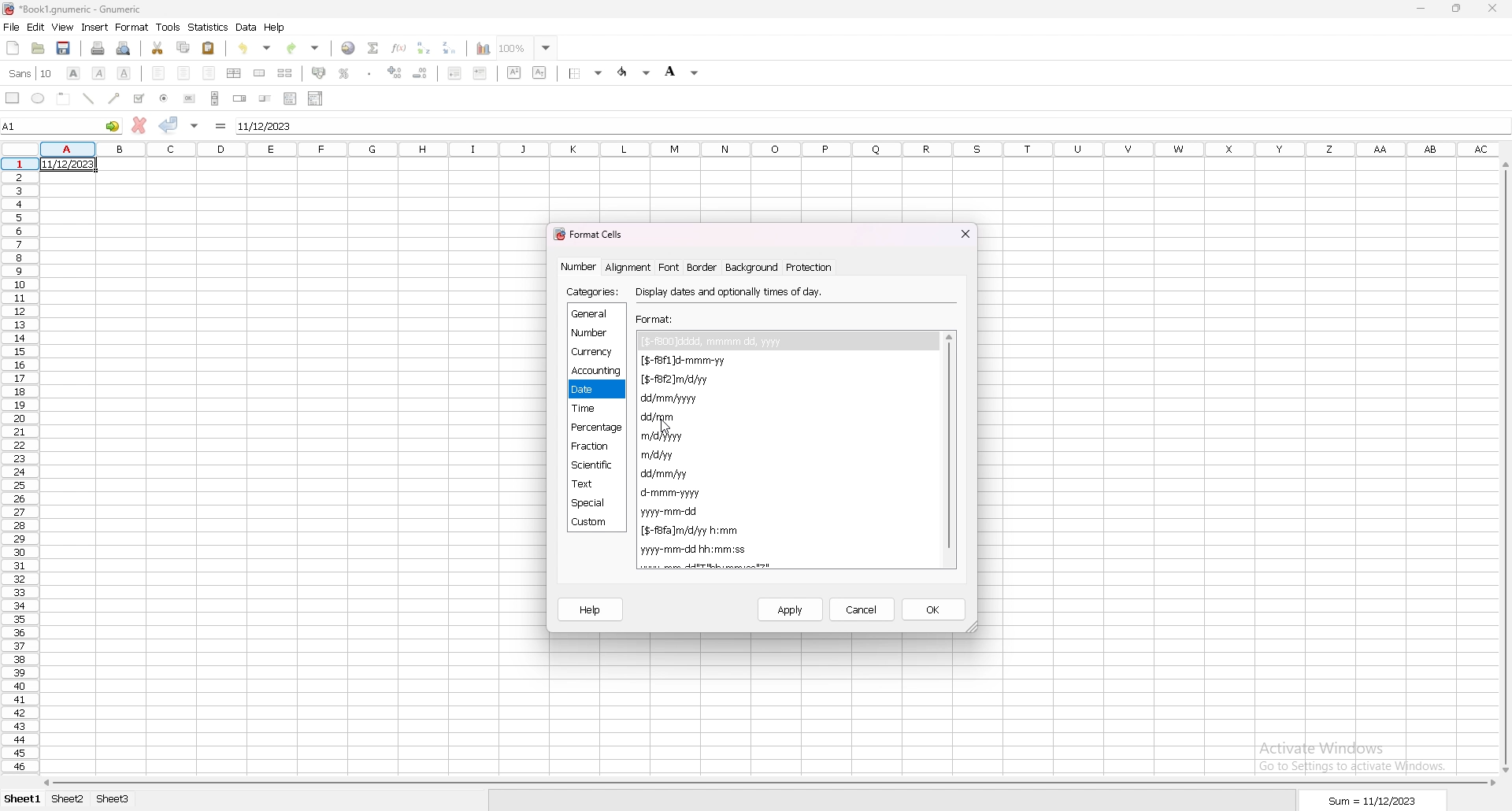 Image resolution: width=1512 pixels, height=811 pixels. Describe the element at coordinates (38, 98) in the screenshot. I see `ellipse` at that location.